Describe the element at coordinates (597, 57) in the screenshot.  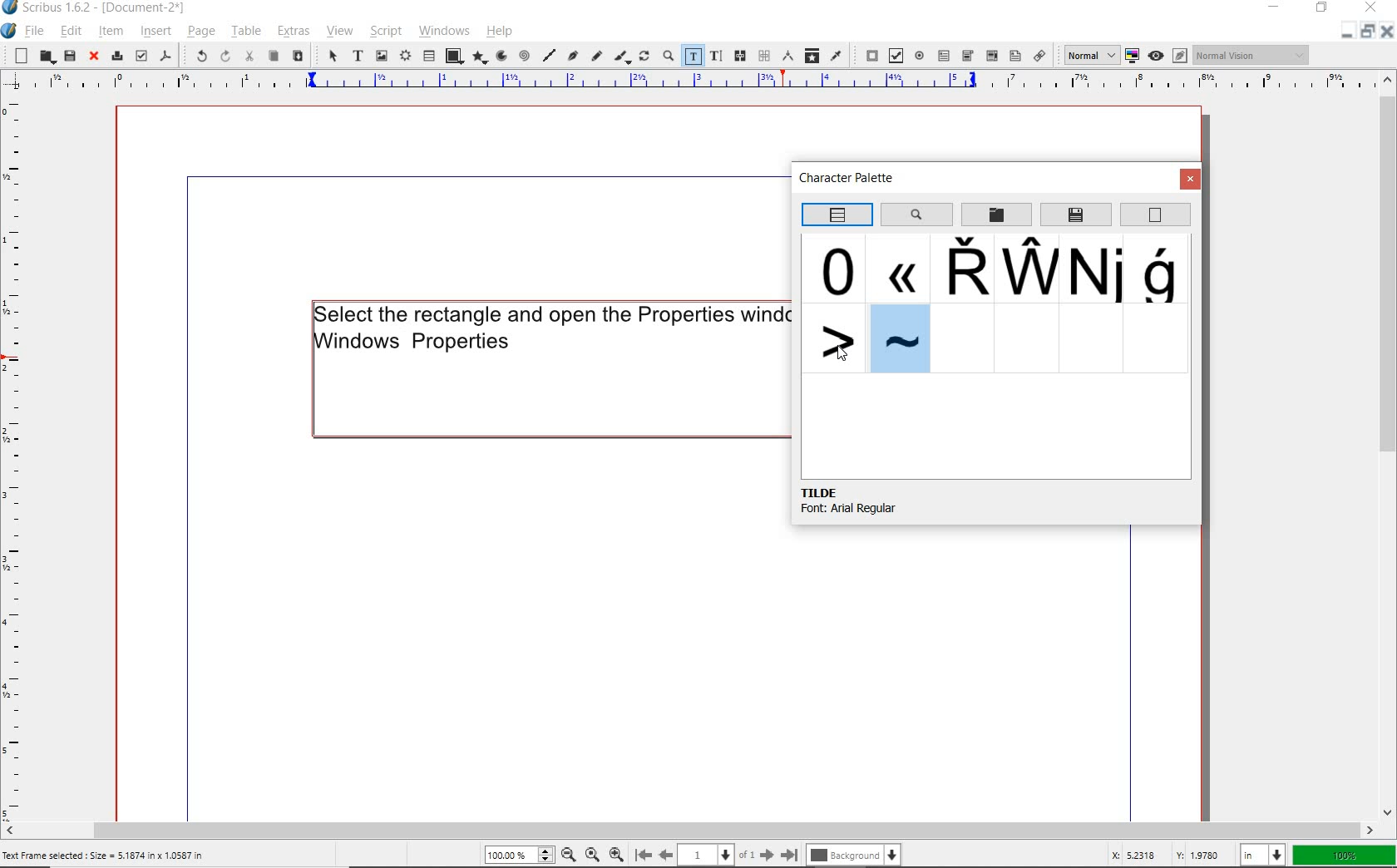
I see `freehand line` at that location.